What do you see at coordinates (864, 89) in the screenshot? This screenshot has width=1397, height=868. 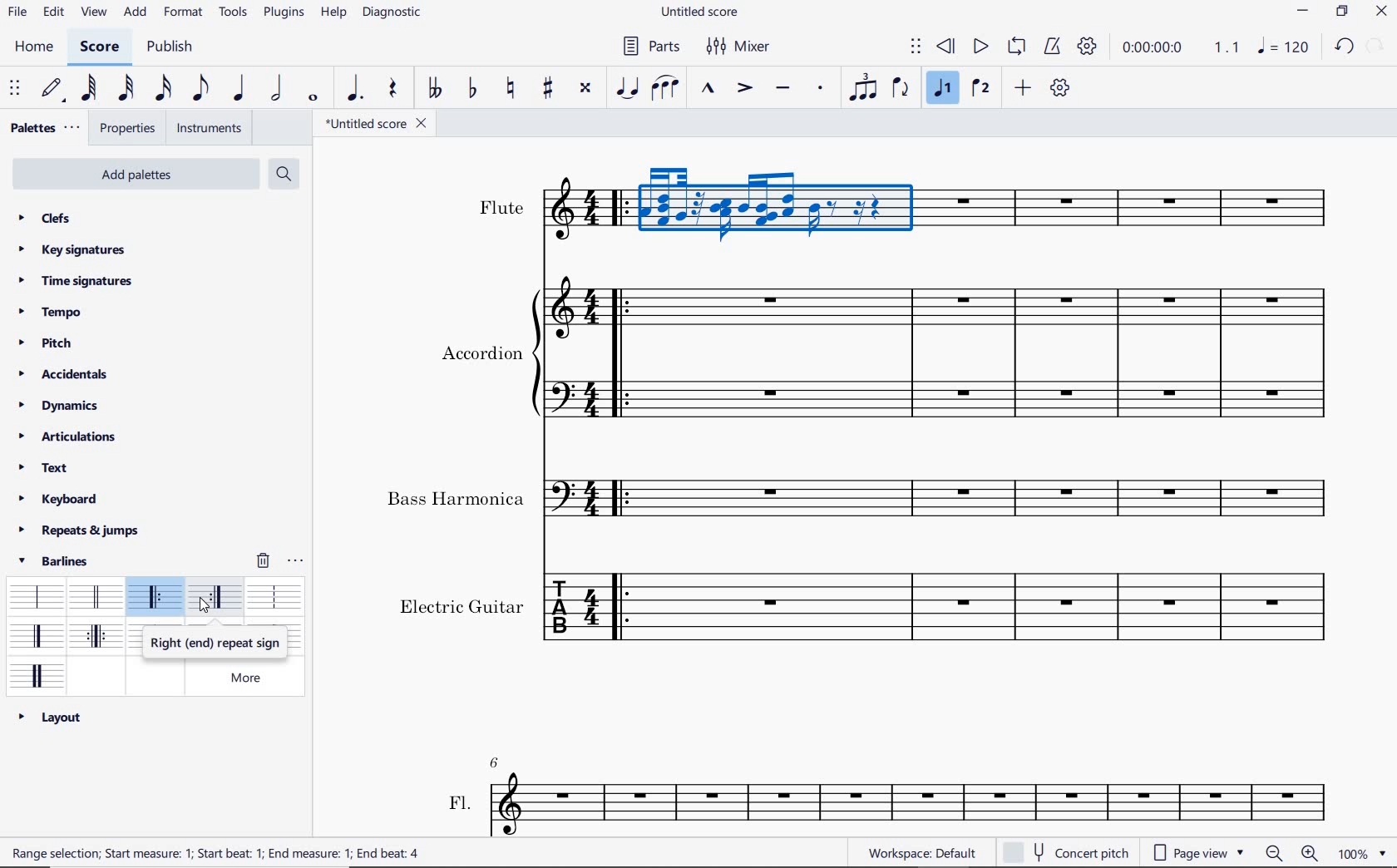 I see `tuplet` at bounding box center [864, 89].